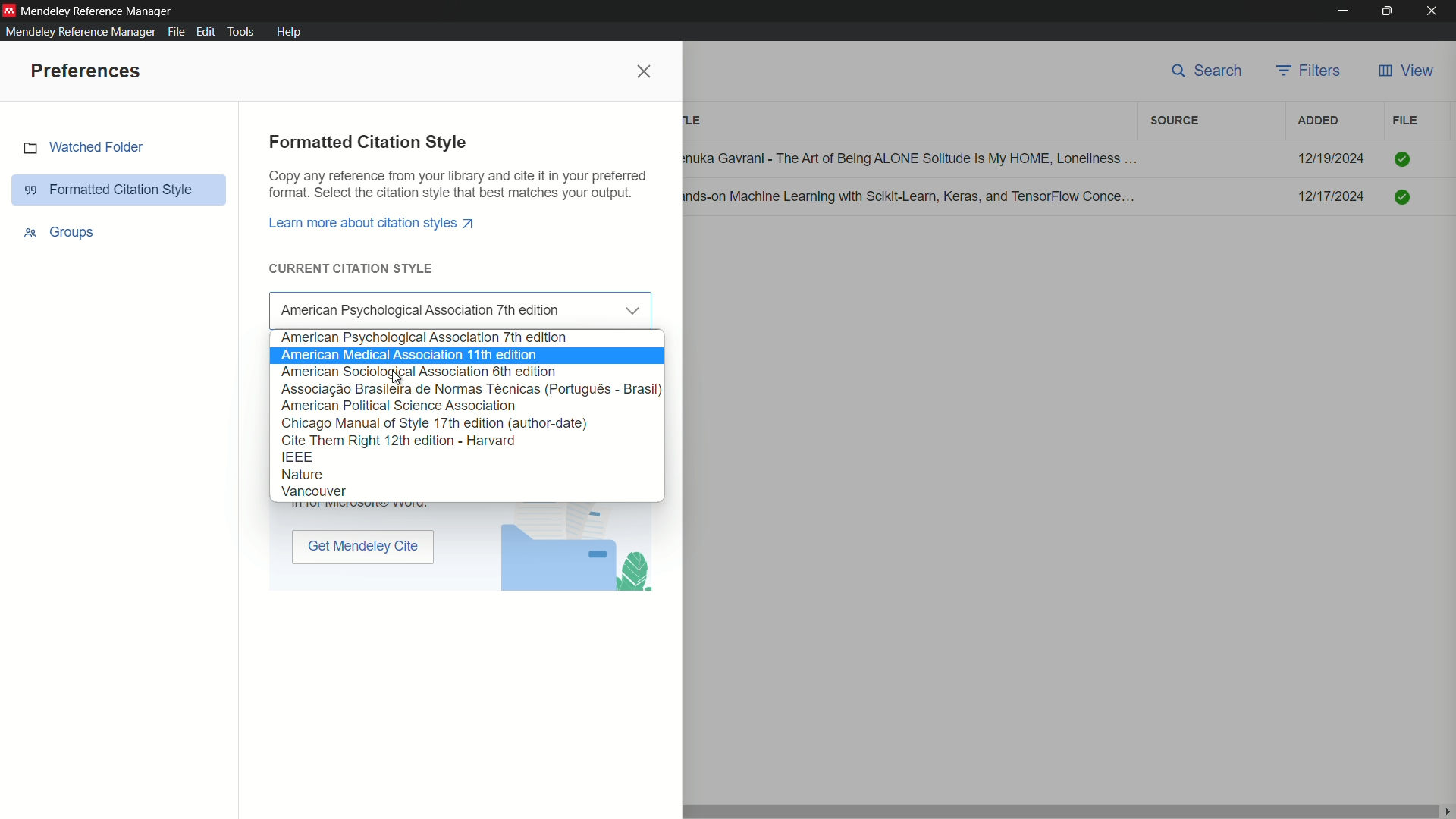  I want to click on formatted citation style, so click(109, 190).